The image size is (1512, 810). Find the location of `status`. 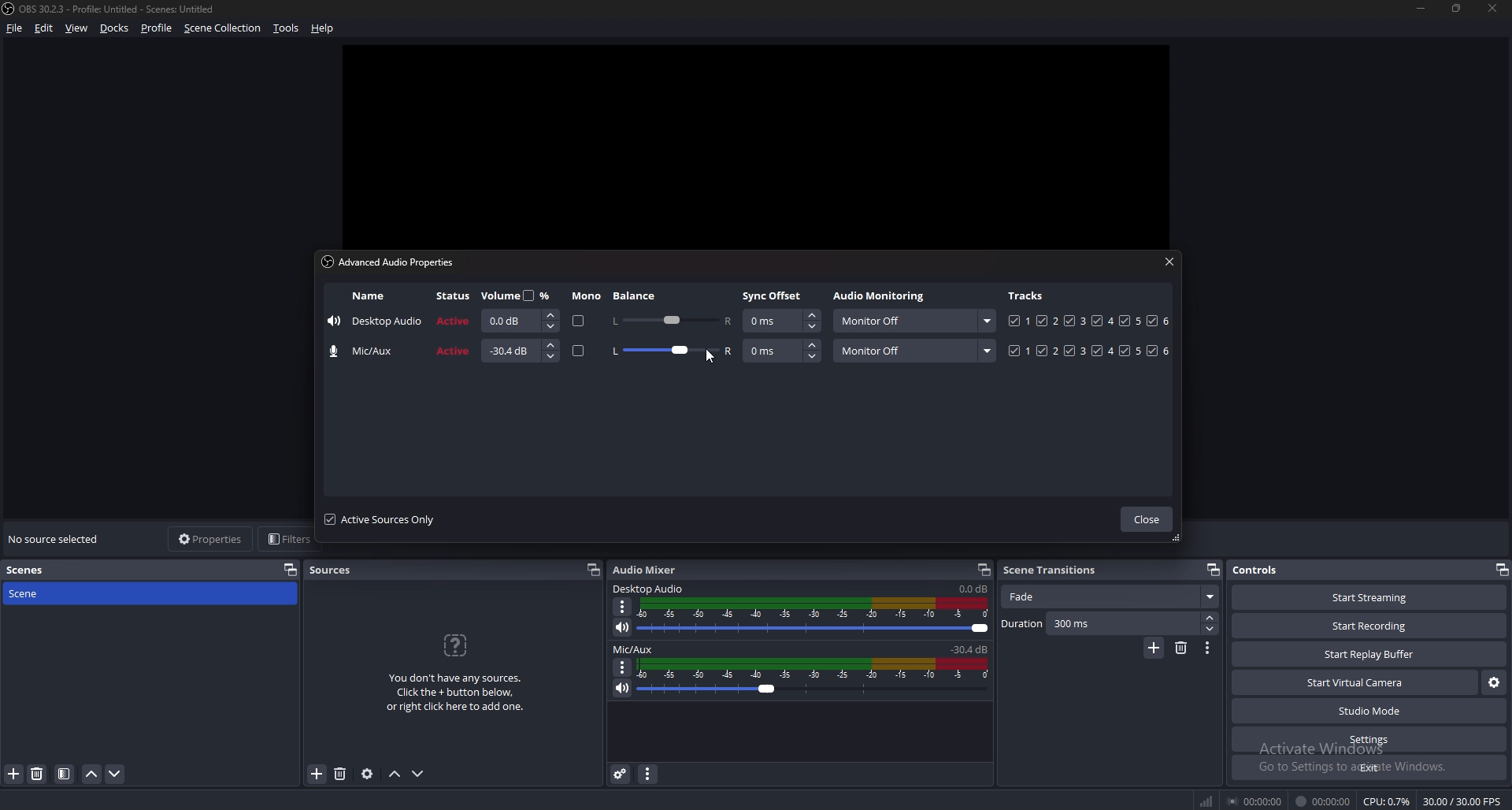

status is located at coordinates (454, 322).